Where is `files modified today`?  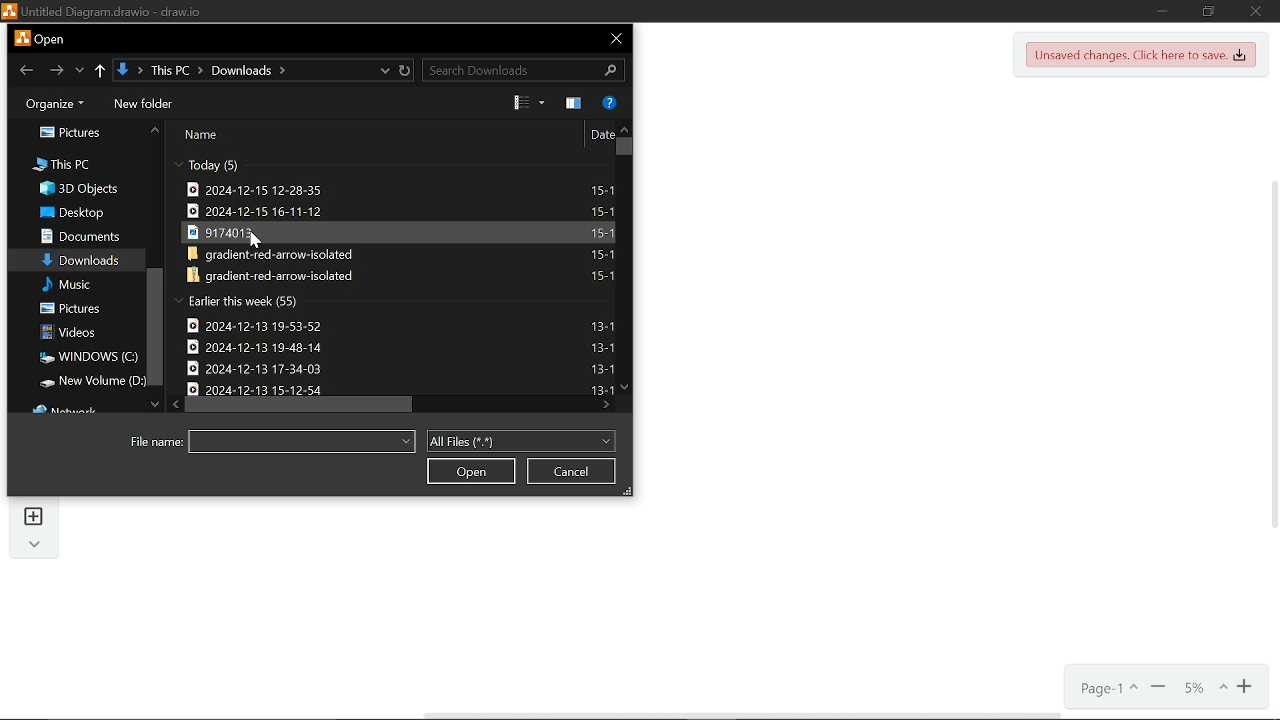
files modified today is located at coordinates (230, 164).